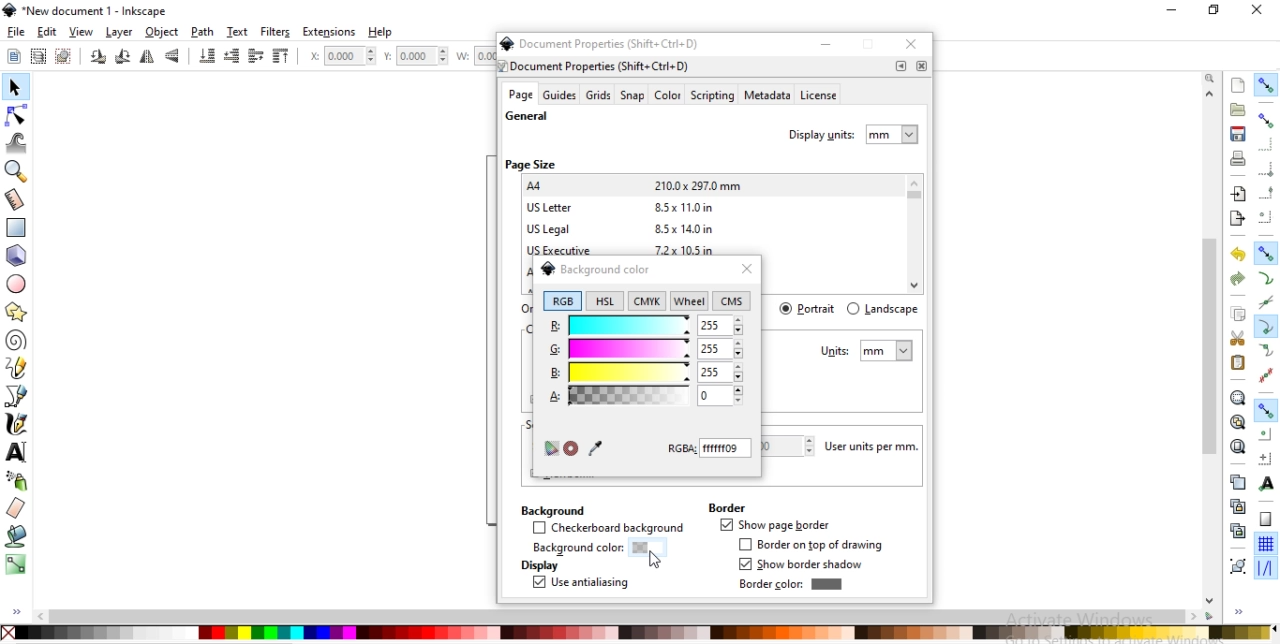  Describe the element at coordinates (82, 32) in the screenshot. I see `view` at that location.